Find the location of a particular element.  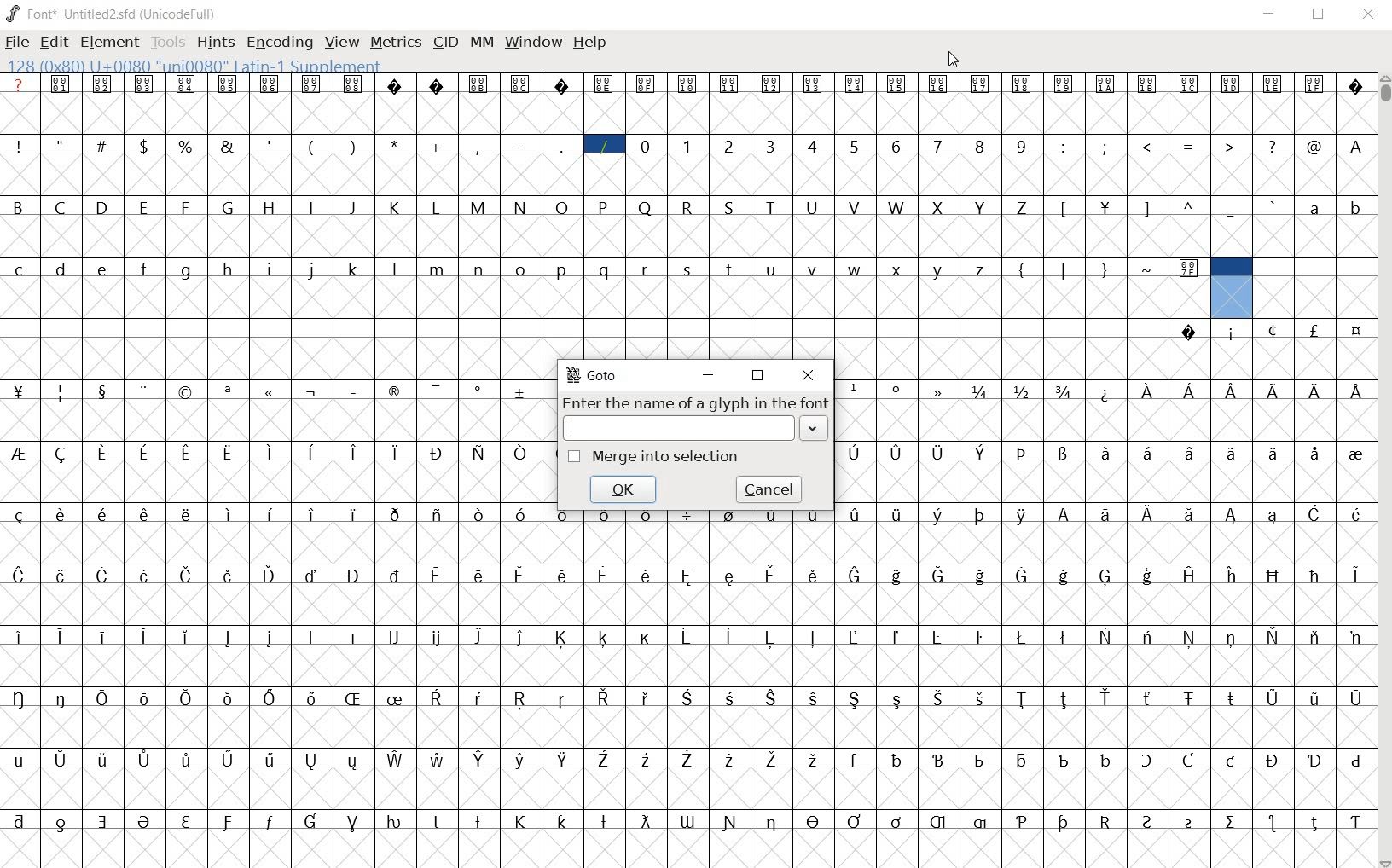

Symbol is located at coordinates (231, 451).